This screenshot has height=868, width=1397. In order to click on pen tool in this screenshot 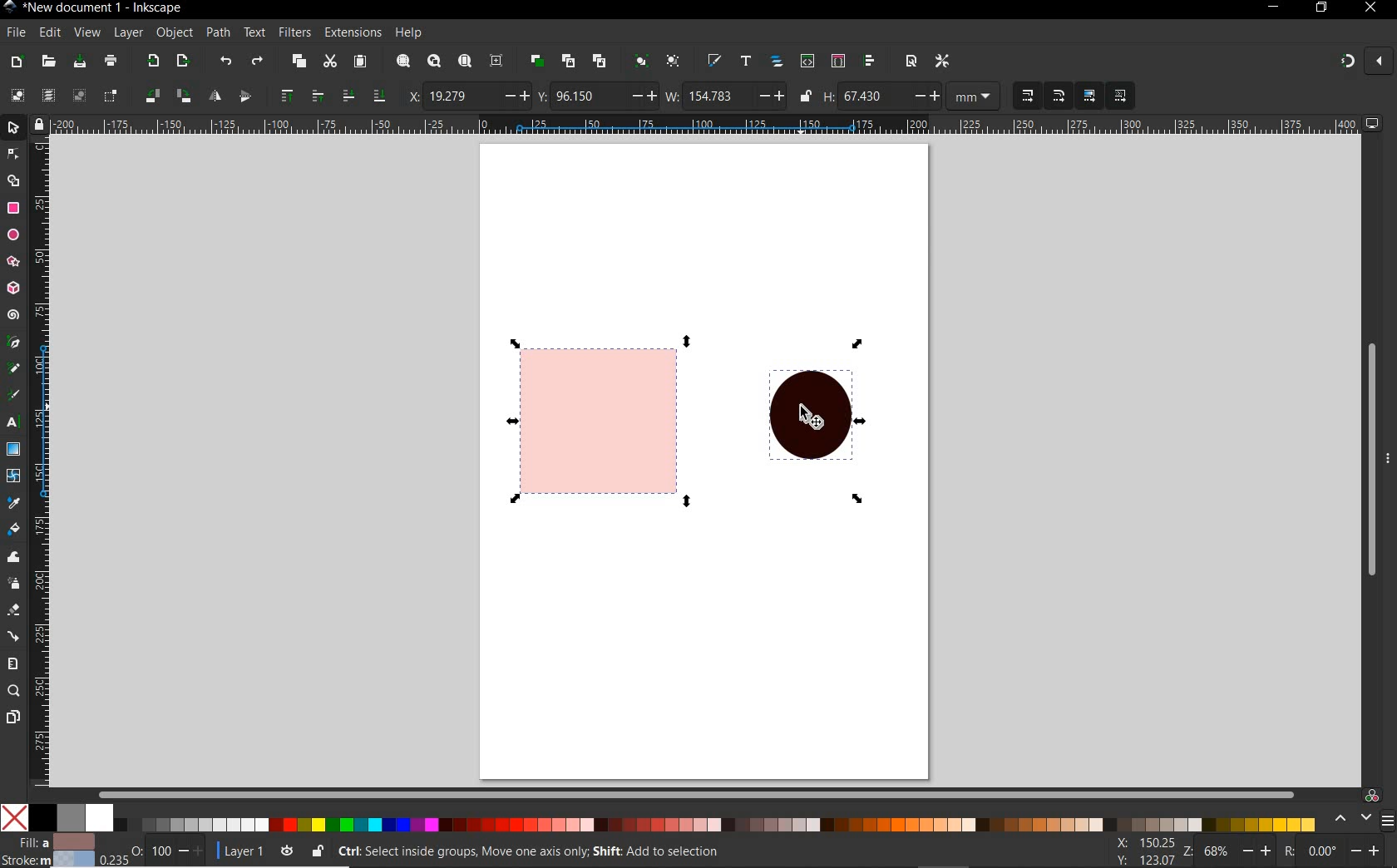, I will do `click(12, 341)`.